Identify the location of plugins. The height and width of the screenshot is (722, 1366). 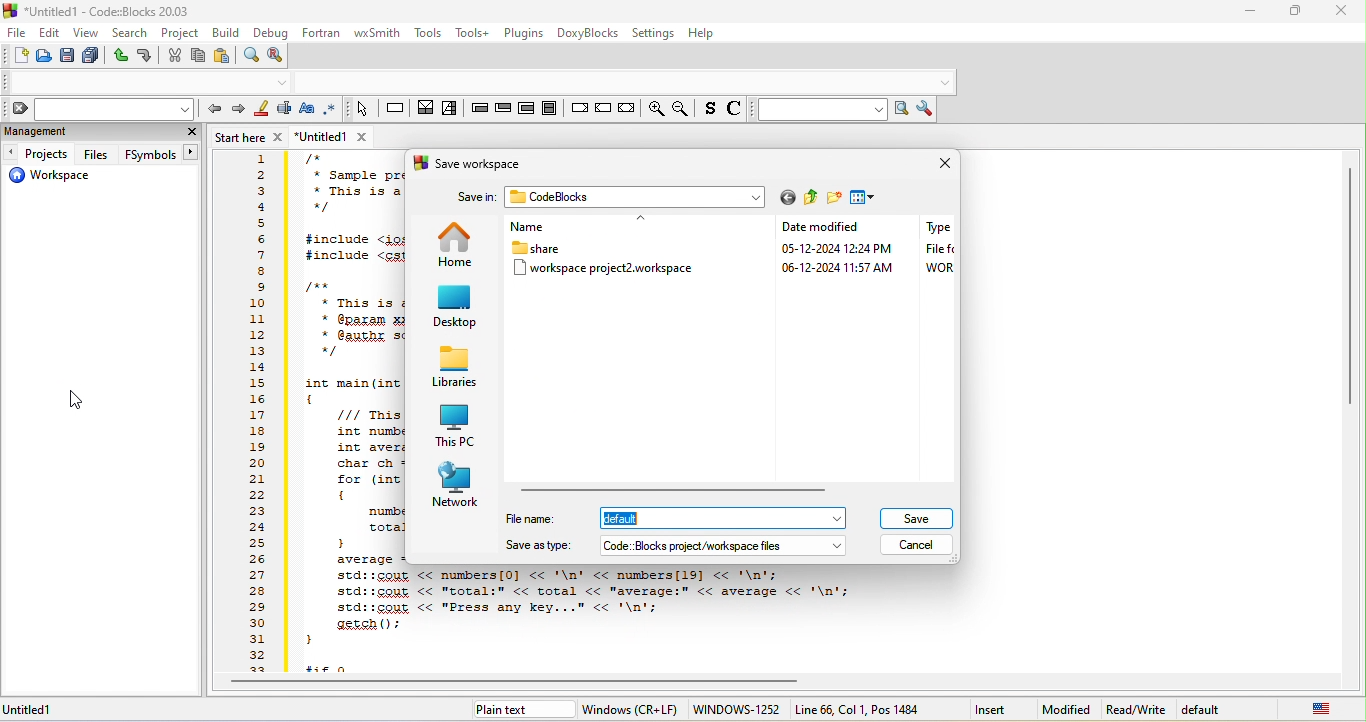
(525, 33).